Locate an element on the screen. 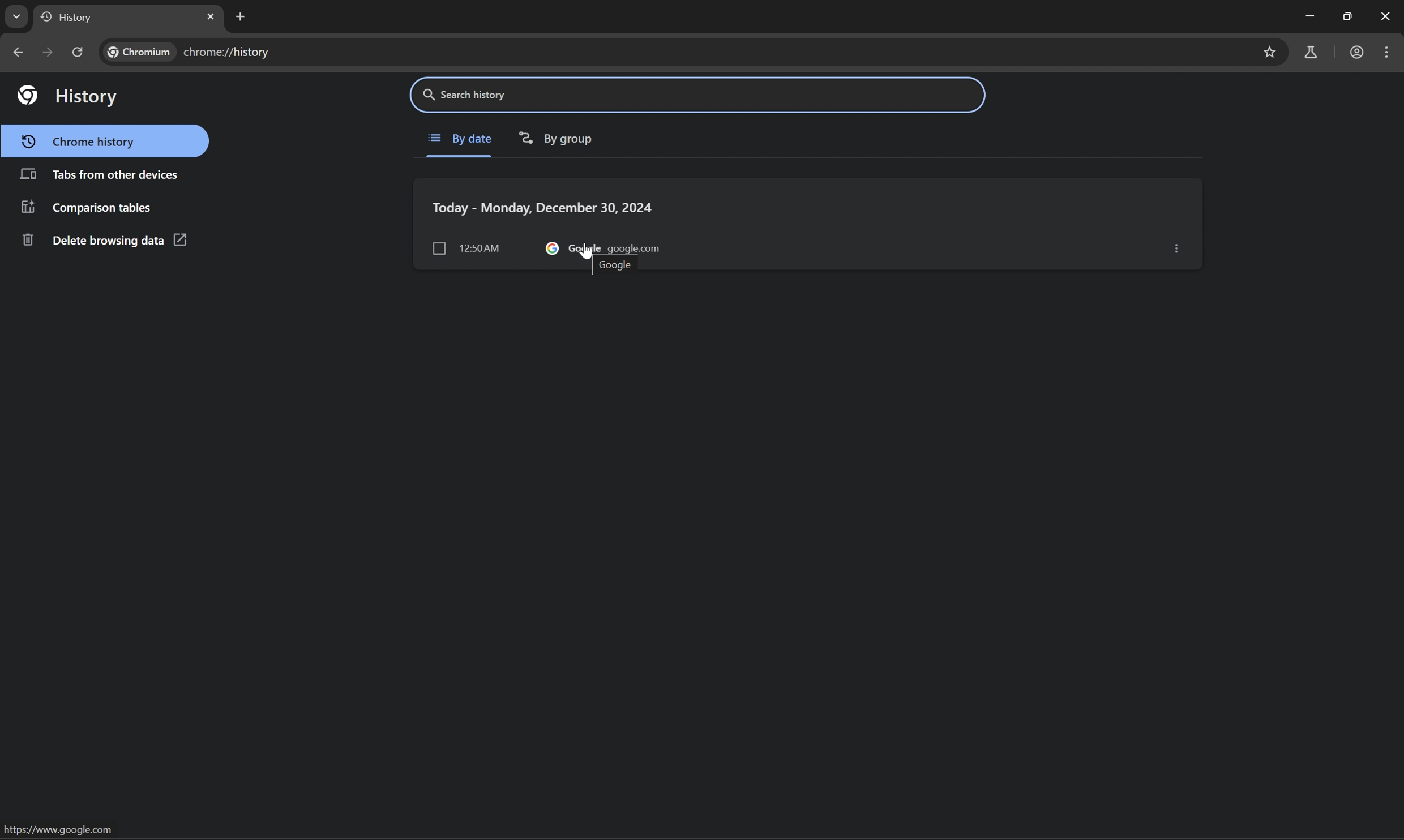  chrome history is located at coordinates (108, 142).